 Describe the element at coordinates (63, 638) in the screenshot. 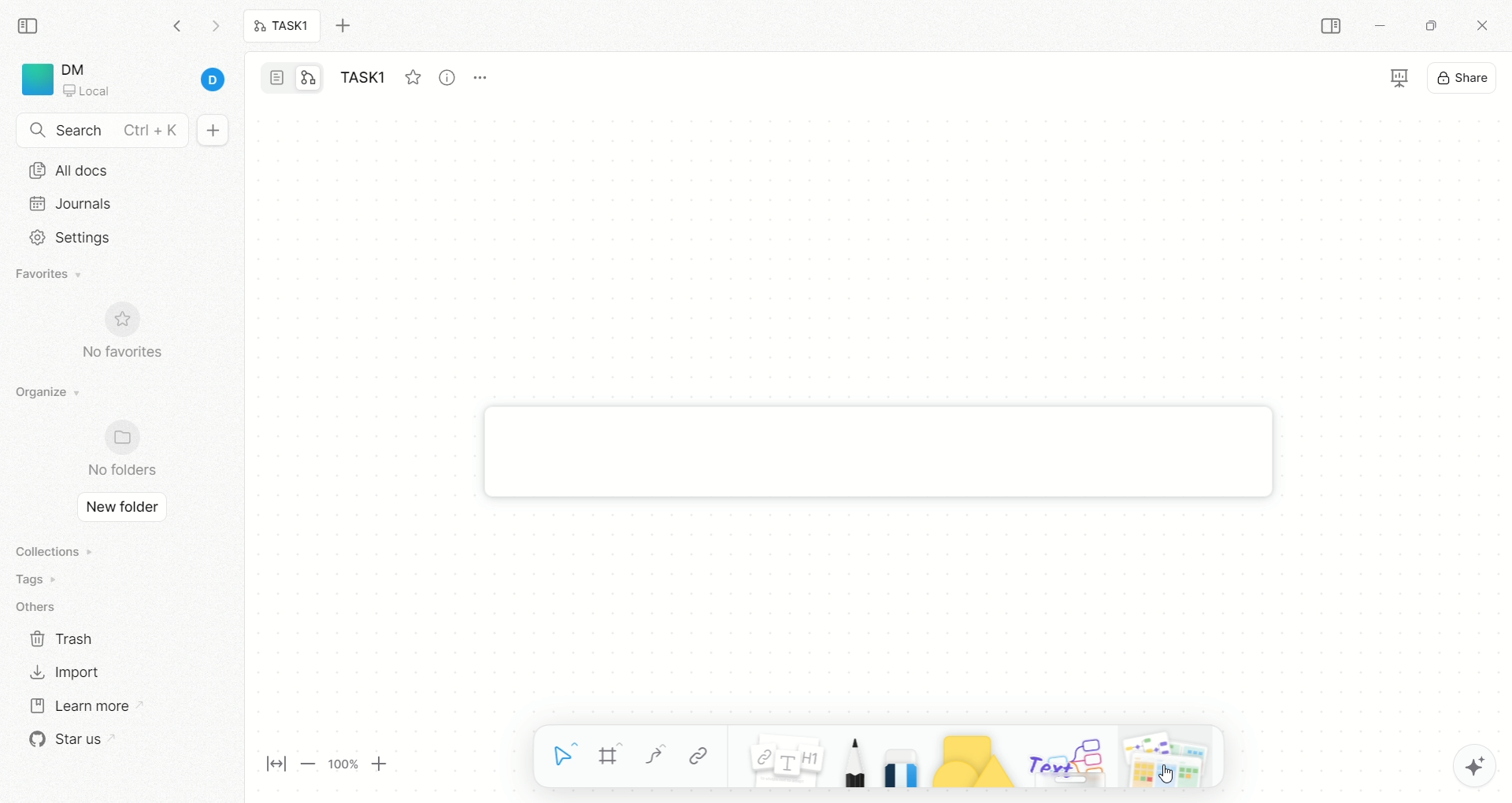

I see `trash` at that location.